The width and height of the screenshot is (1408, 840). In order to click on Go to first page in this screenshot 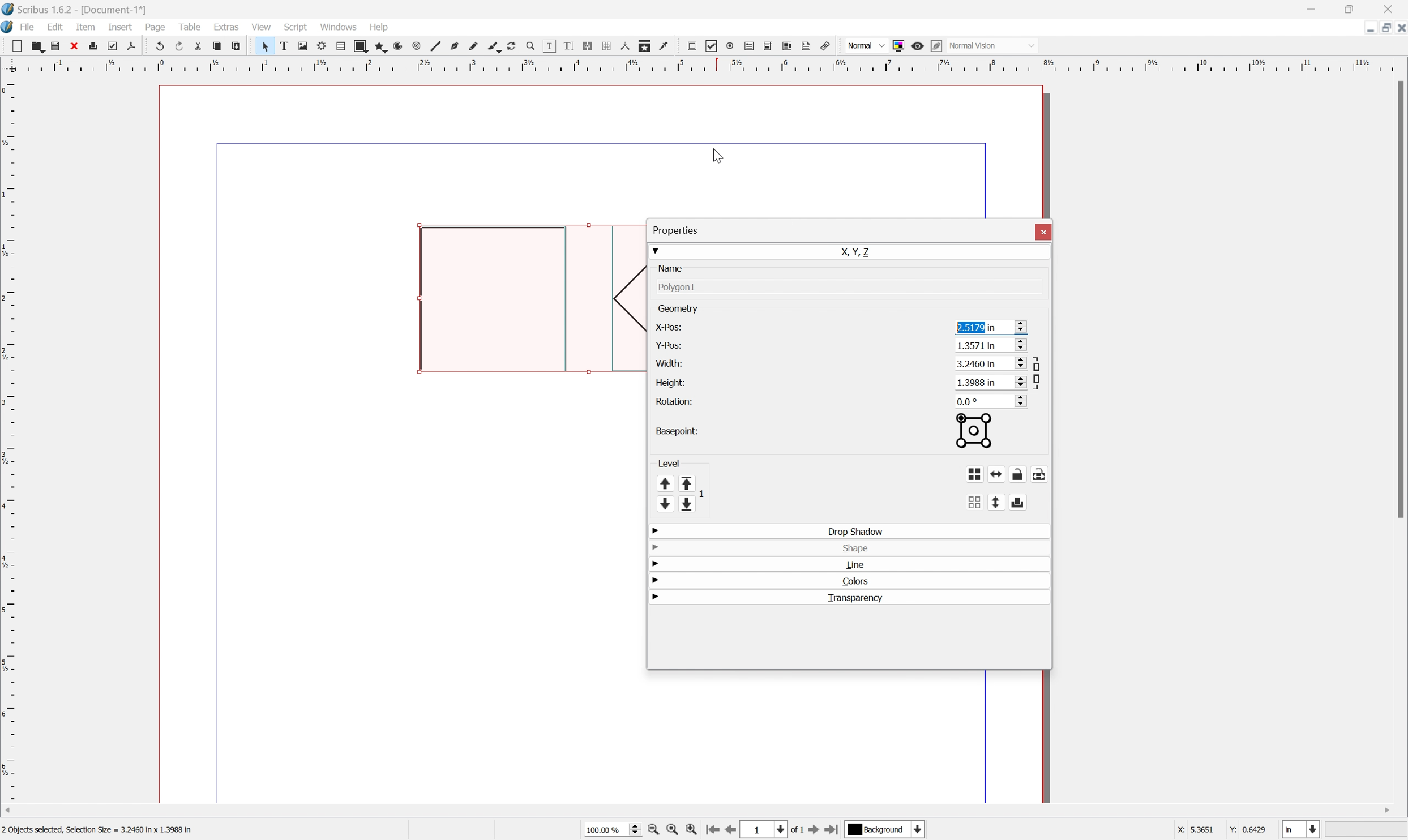, I will do `click(708, 830)`.